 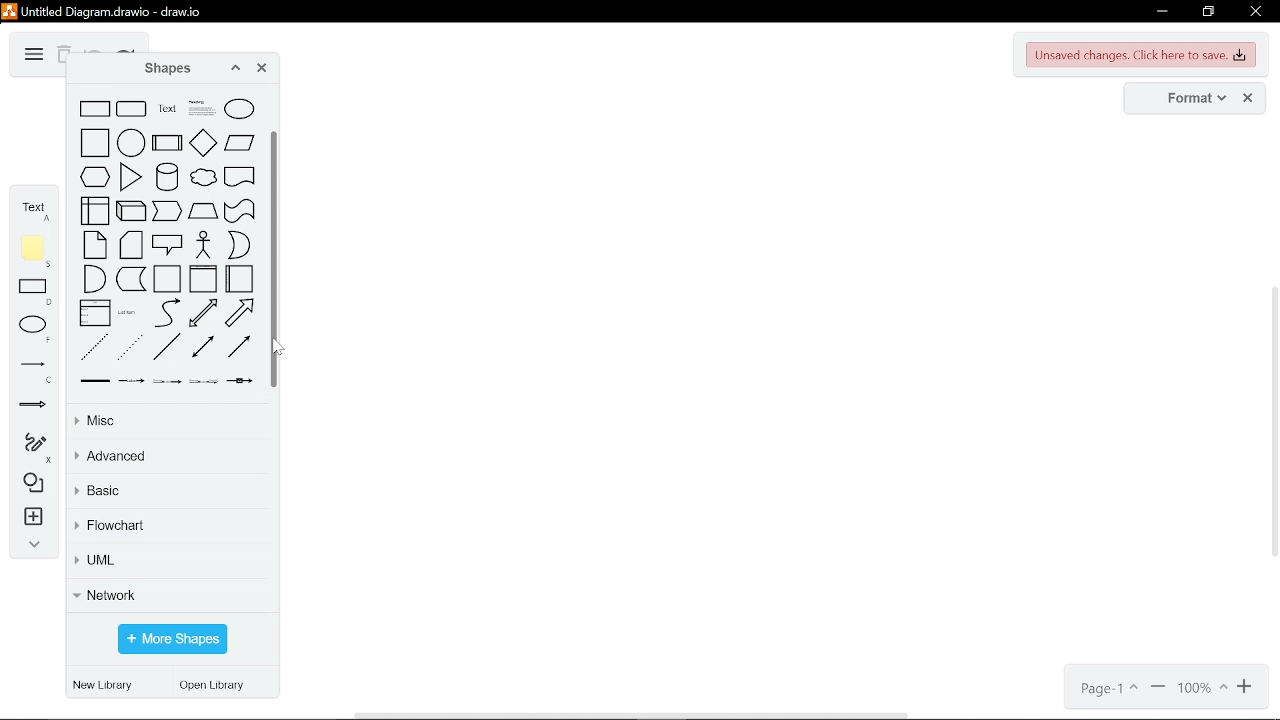 What do you see at coordinates (94, 245) in the screenshot?
I see `note` at bounding box center [94, 245].